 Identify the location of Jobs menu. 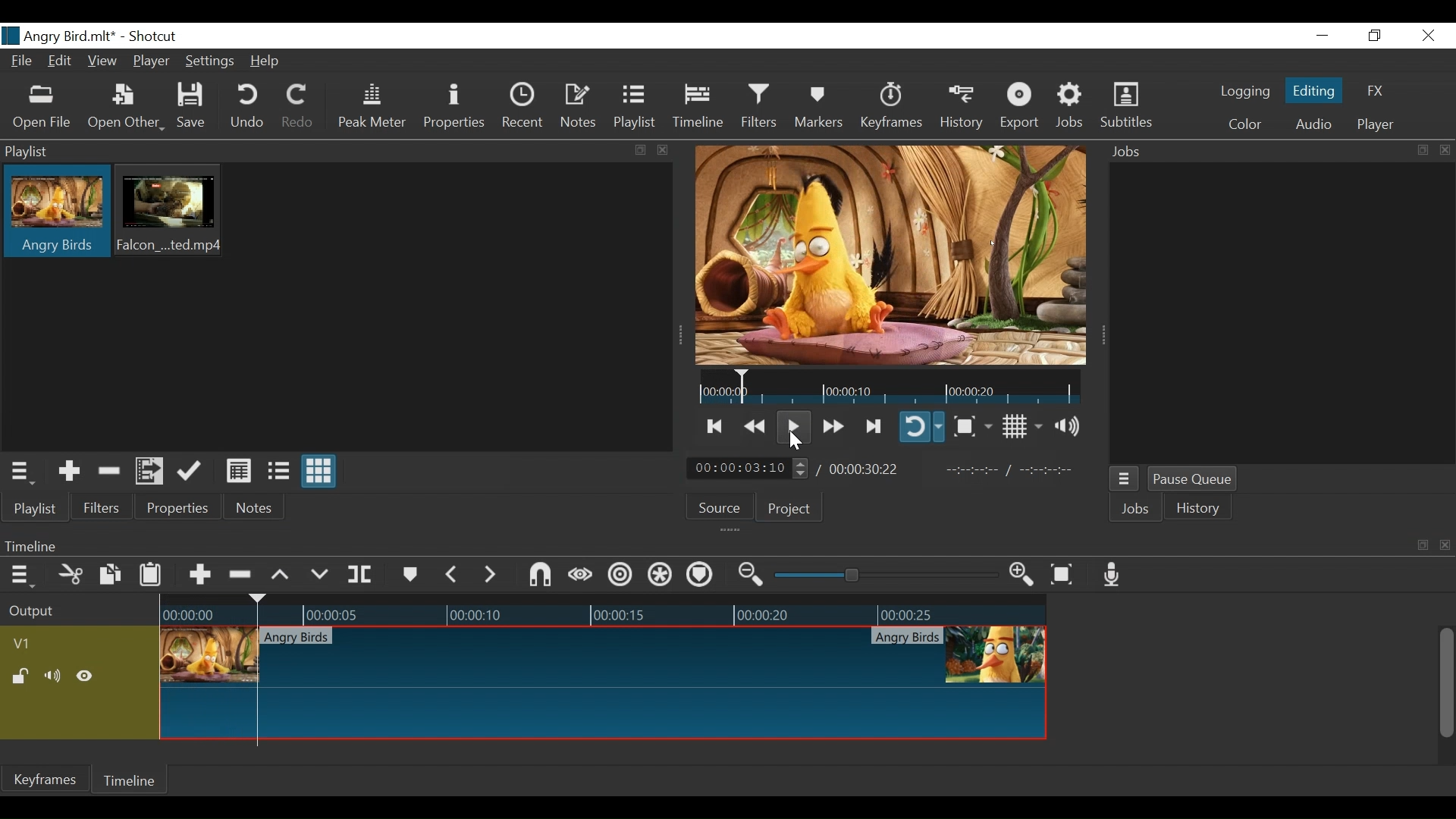
(1126, 478).